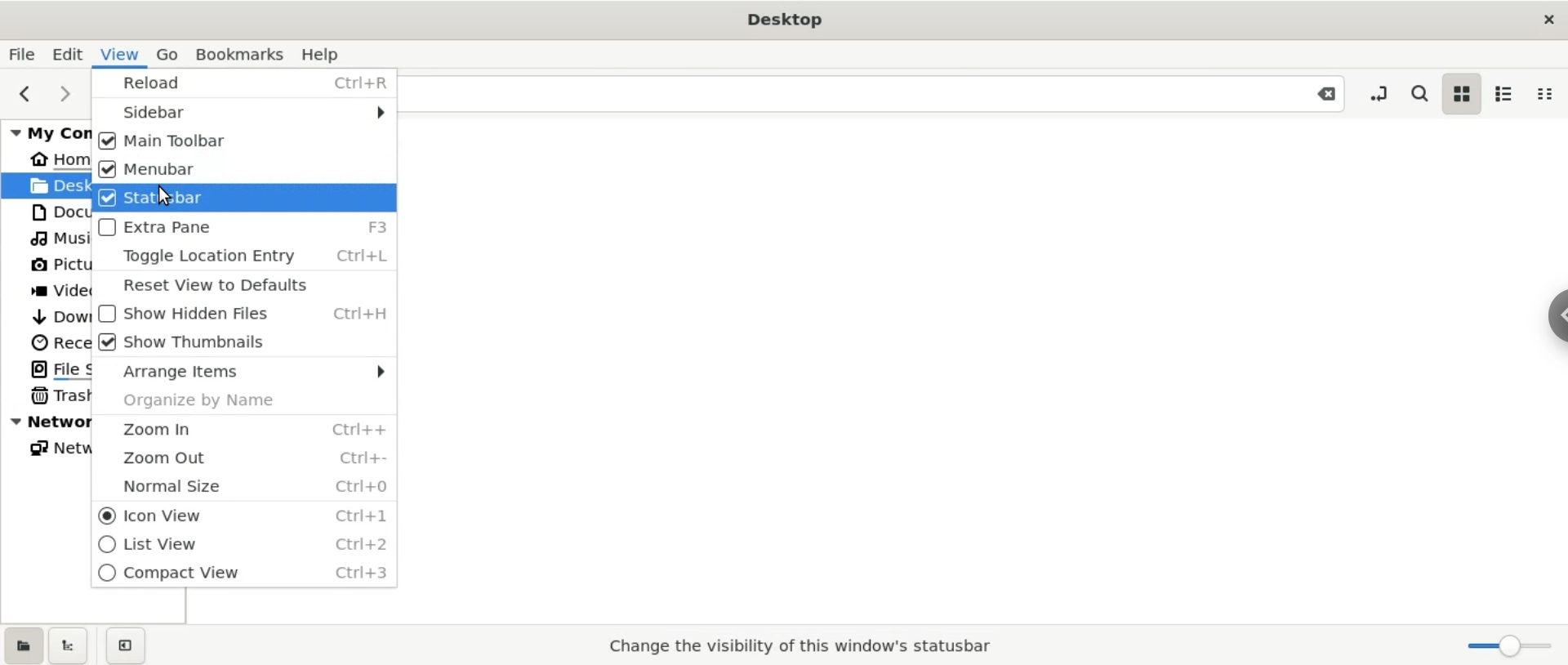 The image size is (1568, 665). Describe the element at coordinates (1558, 314) in the screenshot. I see `sidebar` at that location.